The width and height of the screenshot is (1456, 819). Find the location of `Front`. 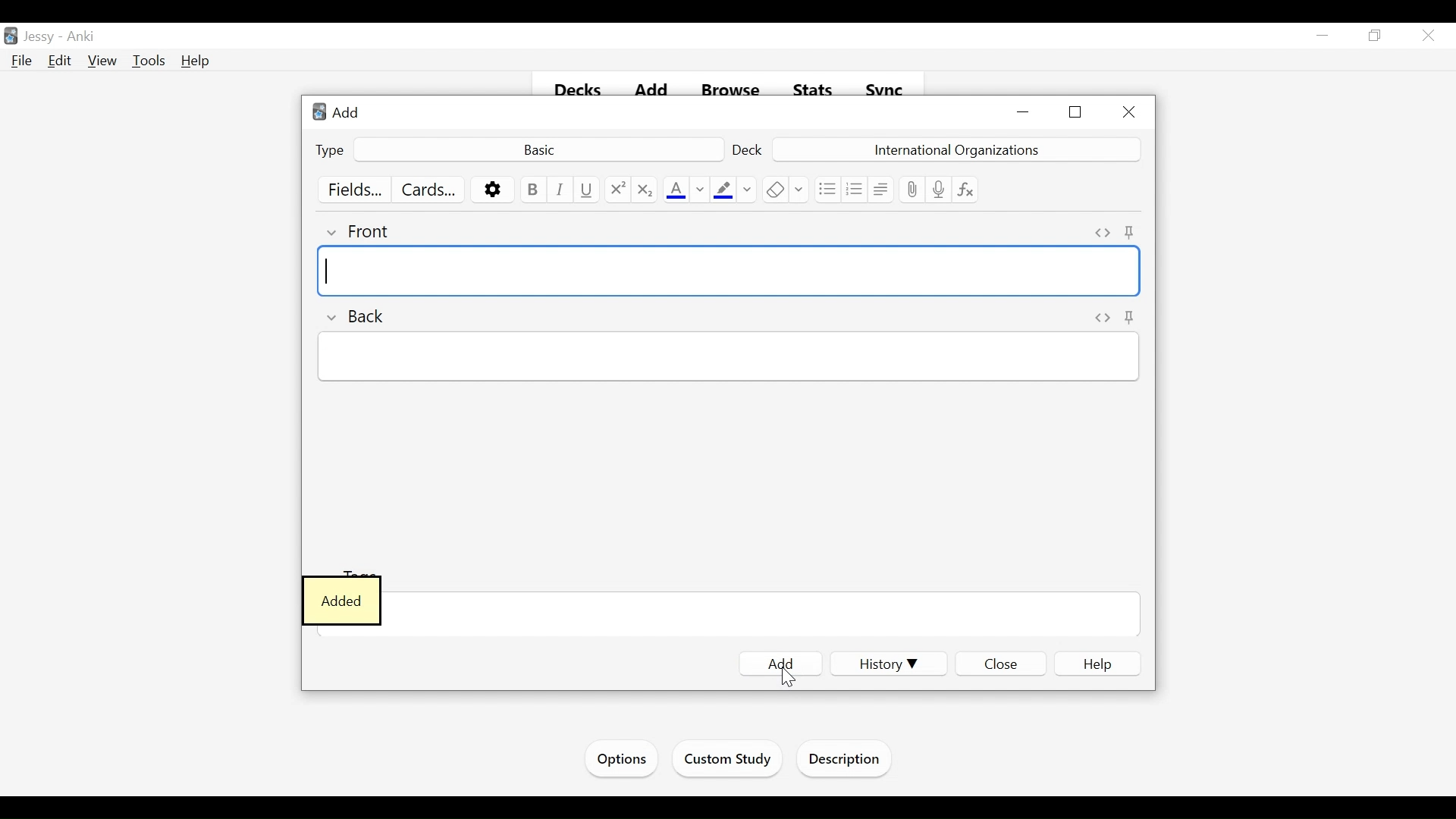

Front is located at coordinates (360, 231).